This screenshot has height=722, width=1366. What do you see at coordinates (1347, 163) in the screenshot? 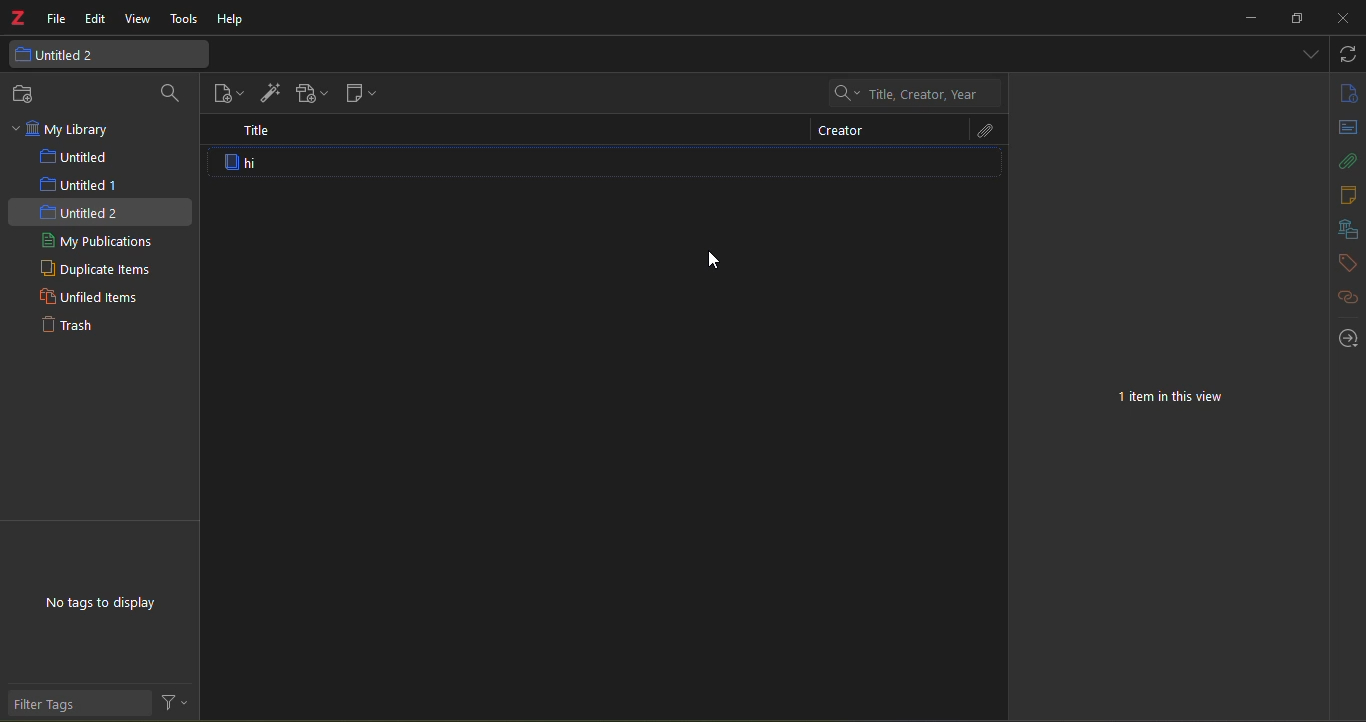
I see `attach` at bounding box center [1347, 163].